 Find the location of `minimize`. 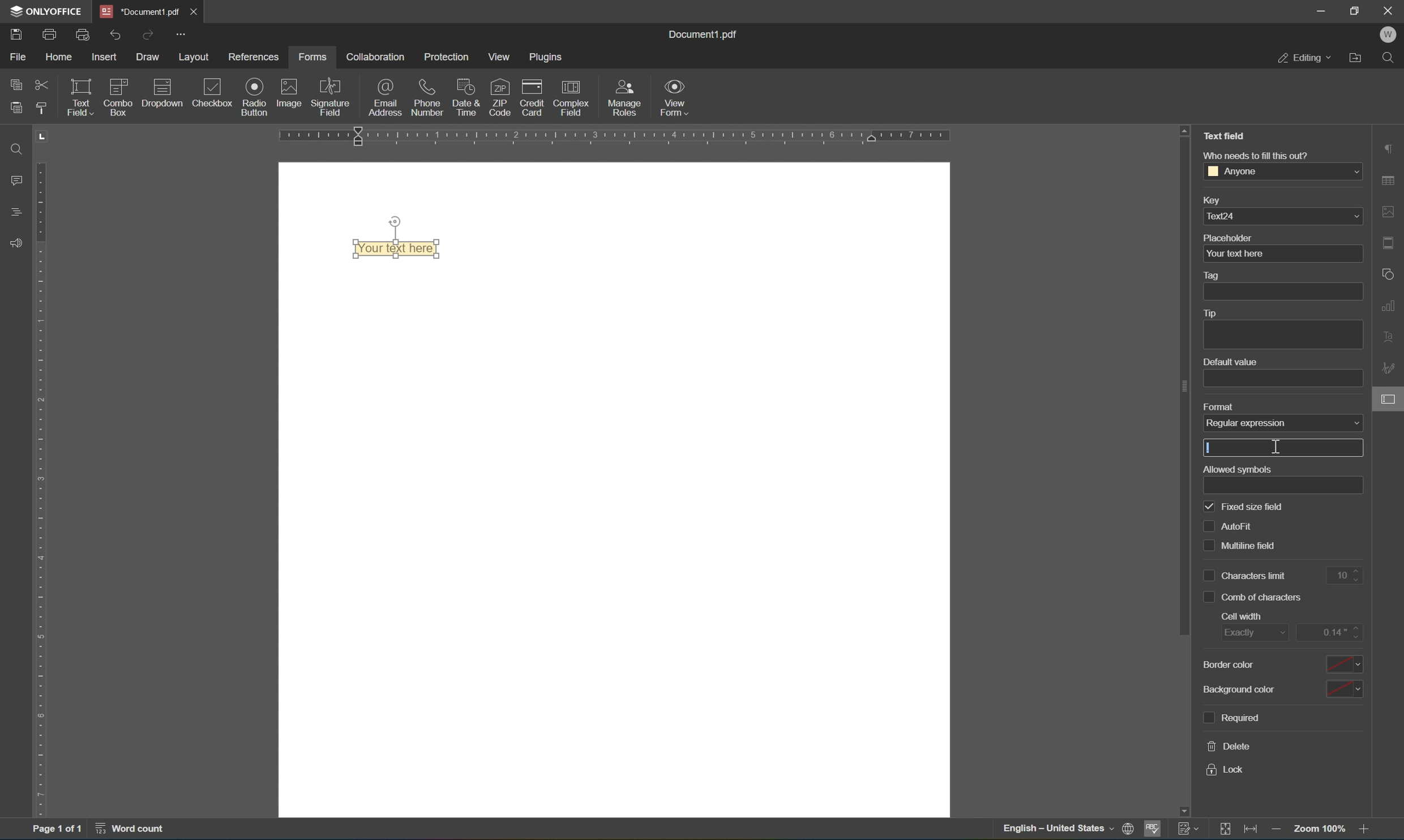

minimize is located at coordinates (1320, 10).